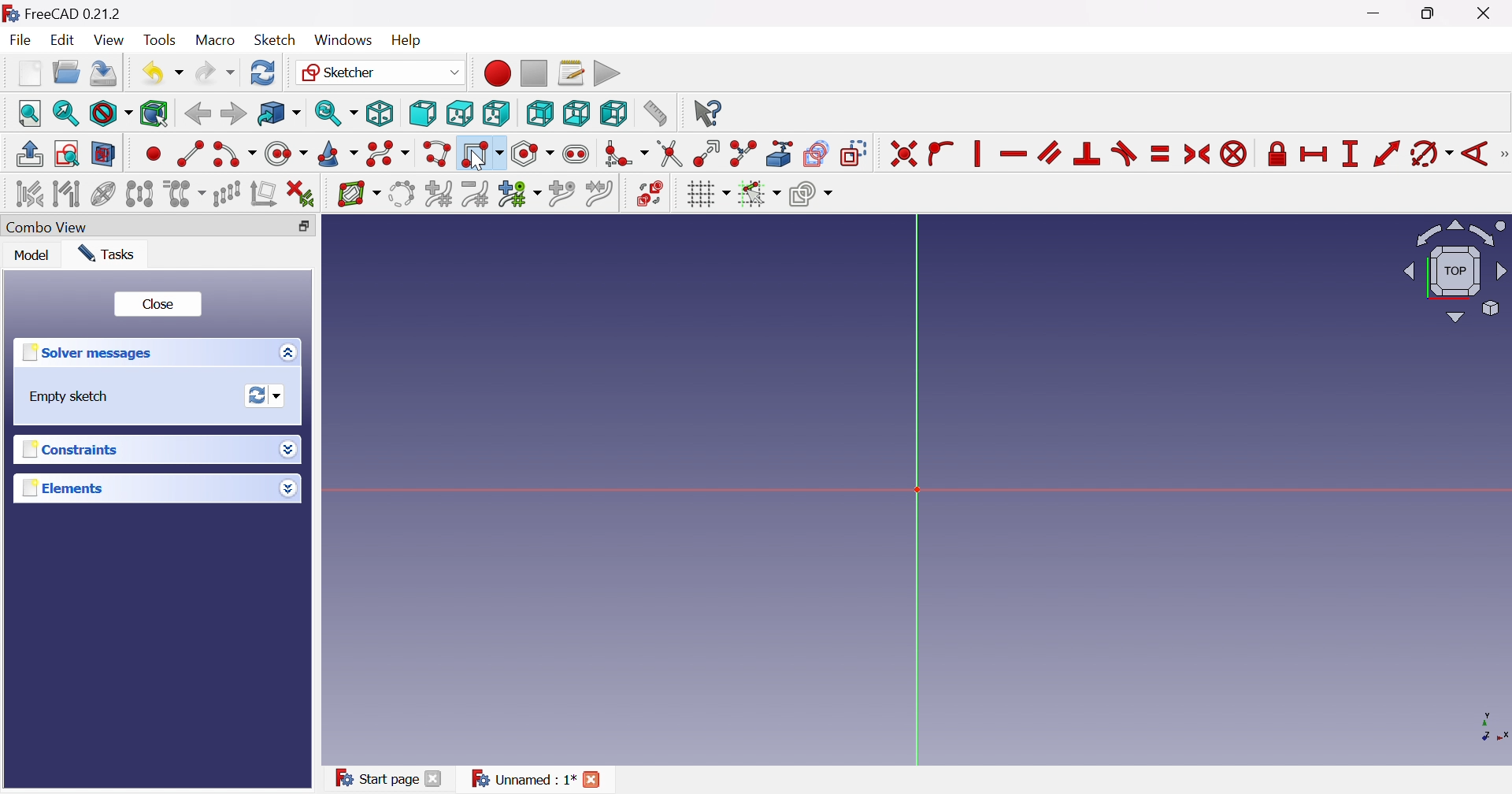  I want to click on Undo, so click(161, 72).